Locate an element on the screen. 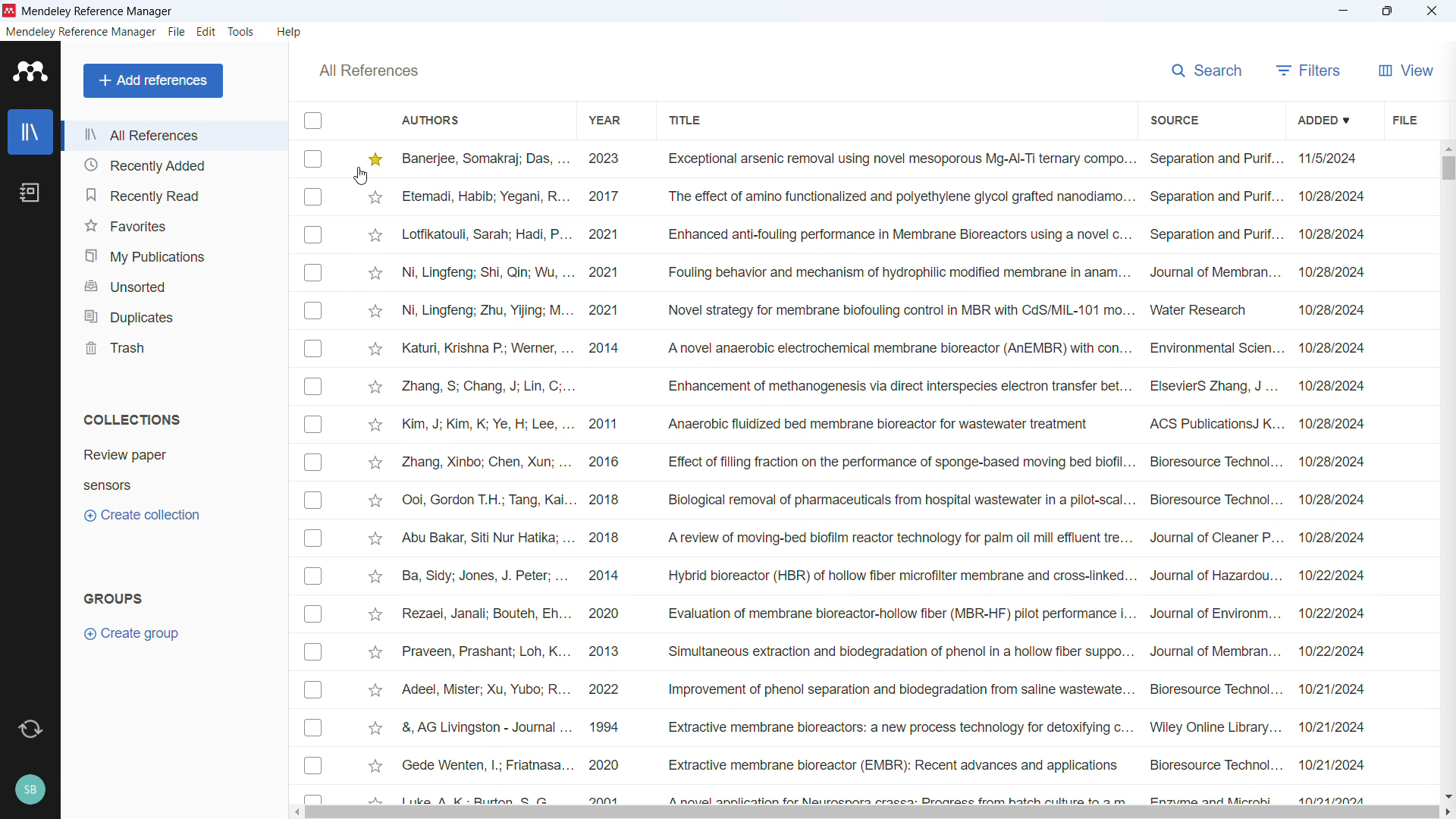 The image size is (1456, 819). Collections  is located at coordinates (130, 419).